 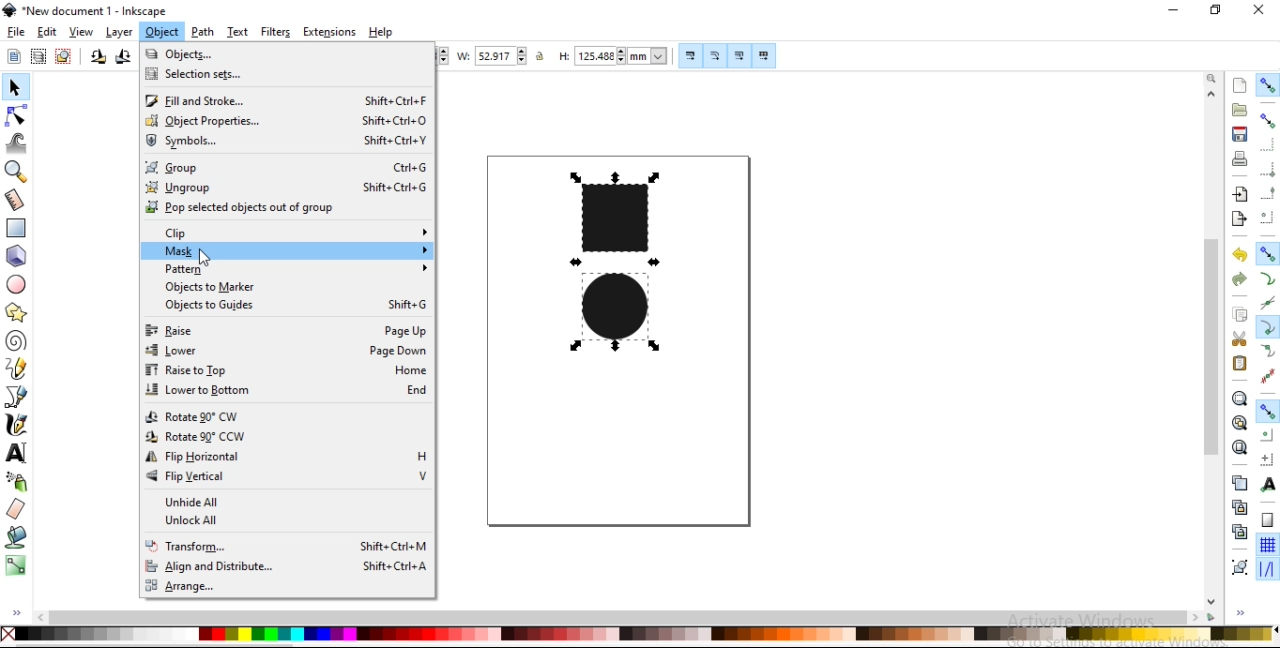 I want to click on minimize, so click(x=1171, y=9).